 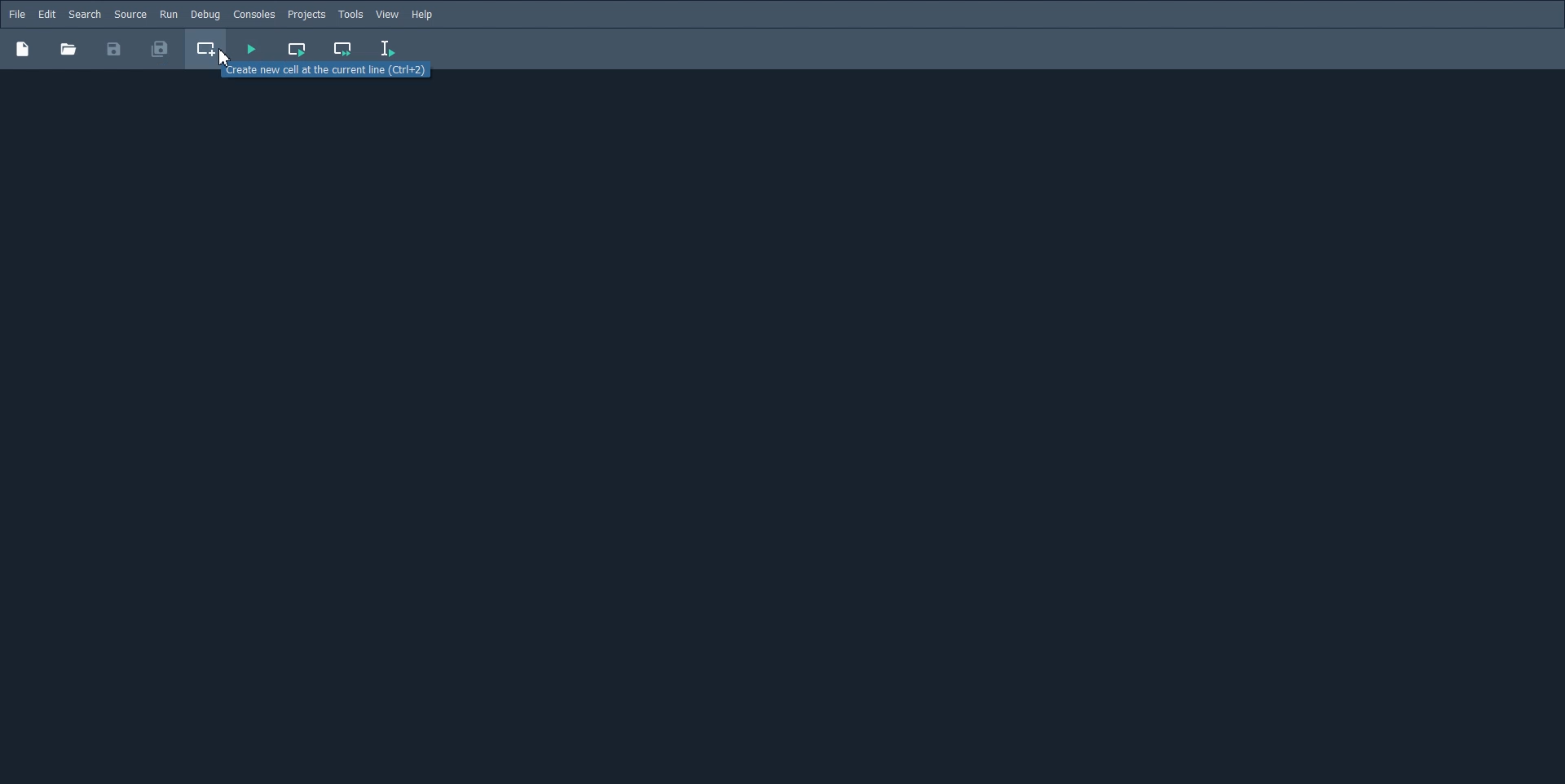 What do you see at coordinates (169, 14) in the screenshot?
I see `Run` at bounding box center [169, 14].